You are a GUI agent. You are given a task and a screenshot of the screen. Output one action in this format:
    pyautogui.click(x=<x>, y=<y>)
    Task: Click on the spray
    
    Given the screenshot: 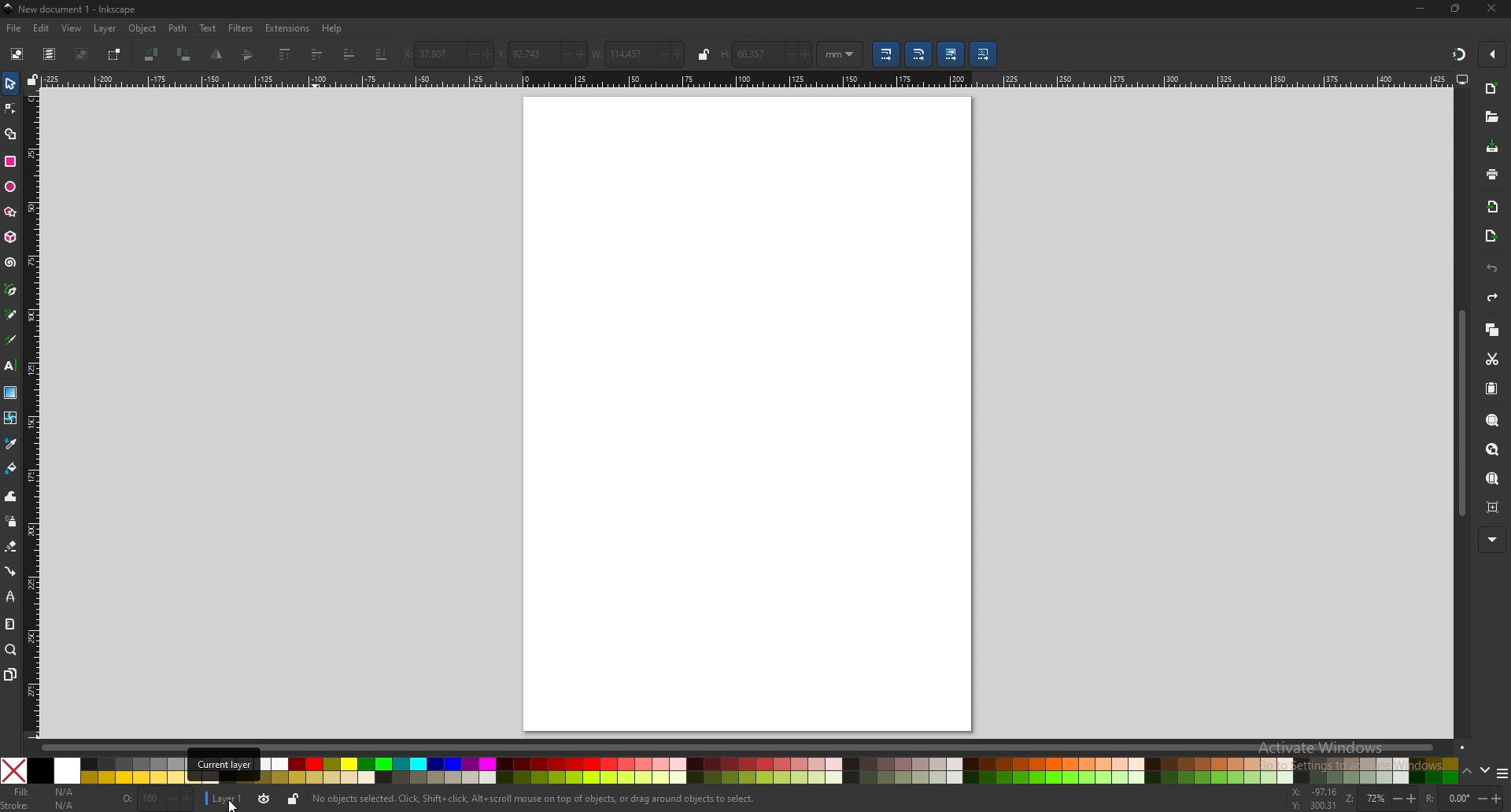 What is the action you would take?
    pyautogui.click(x=11, y=520)
    